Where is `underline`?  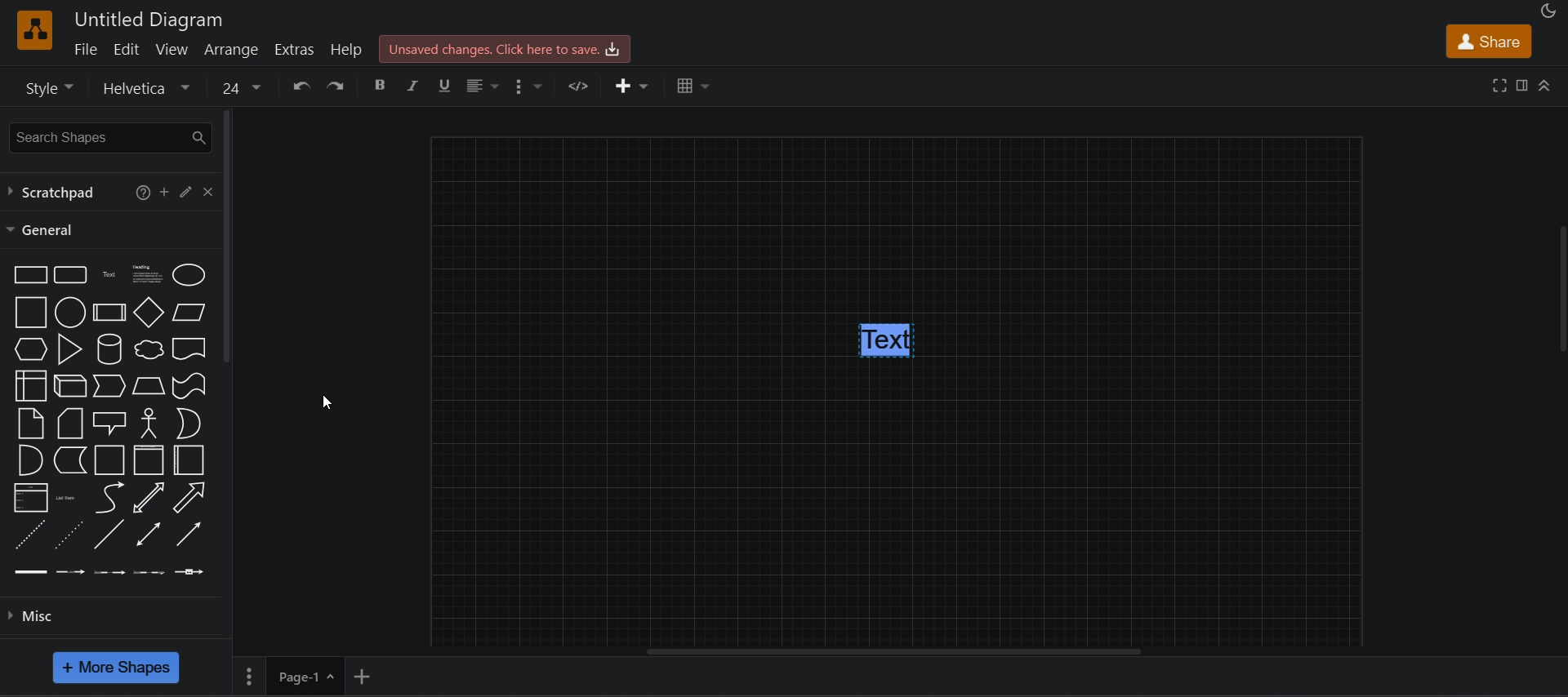
underline is located at coordinates (447, 87).